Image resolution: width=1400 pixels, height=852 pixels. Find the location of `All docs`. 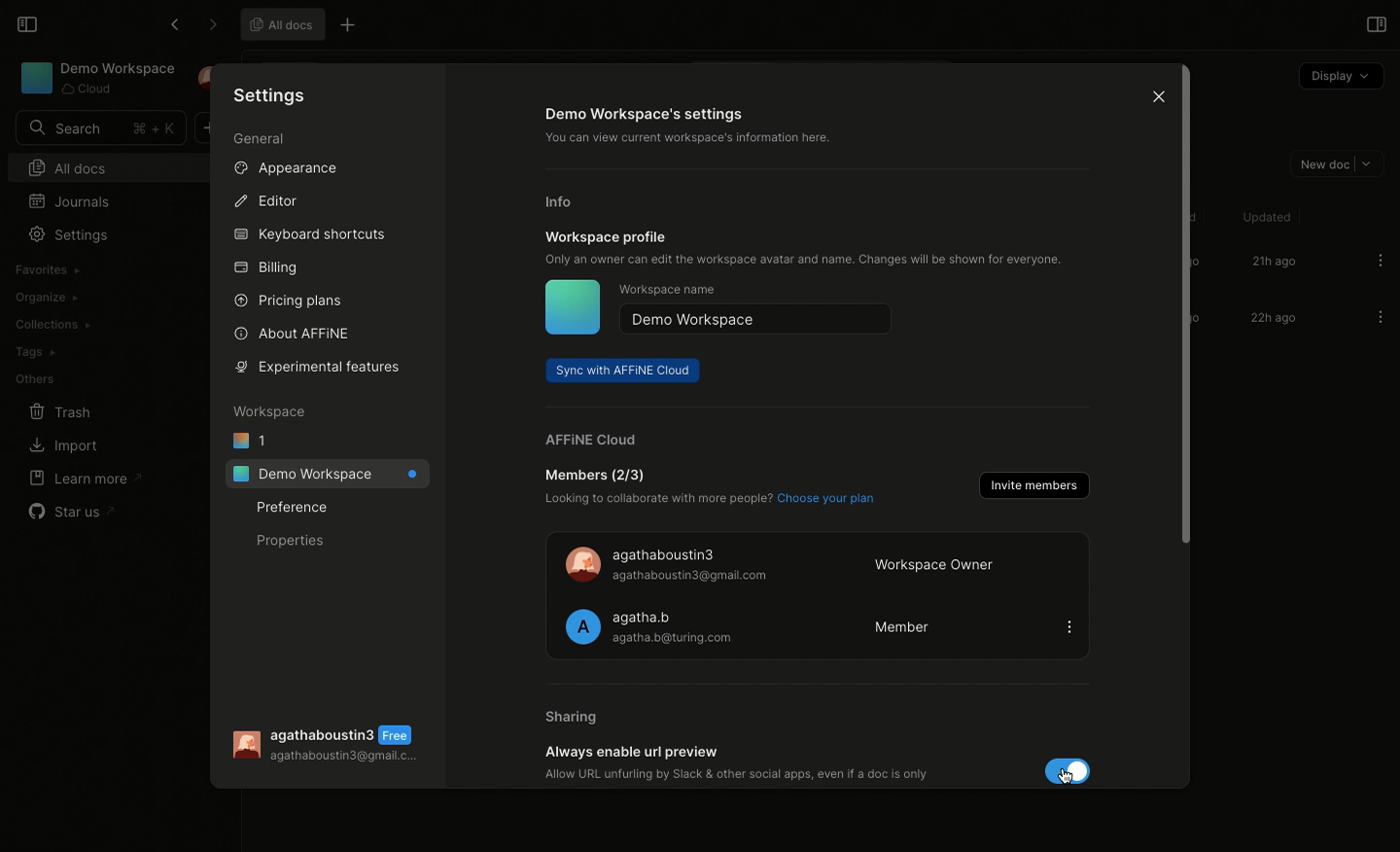

All docs is located at coordinates (94, 167).